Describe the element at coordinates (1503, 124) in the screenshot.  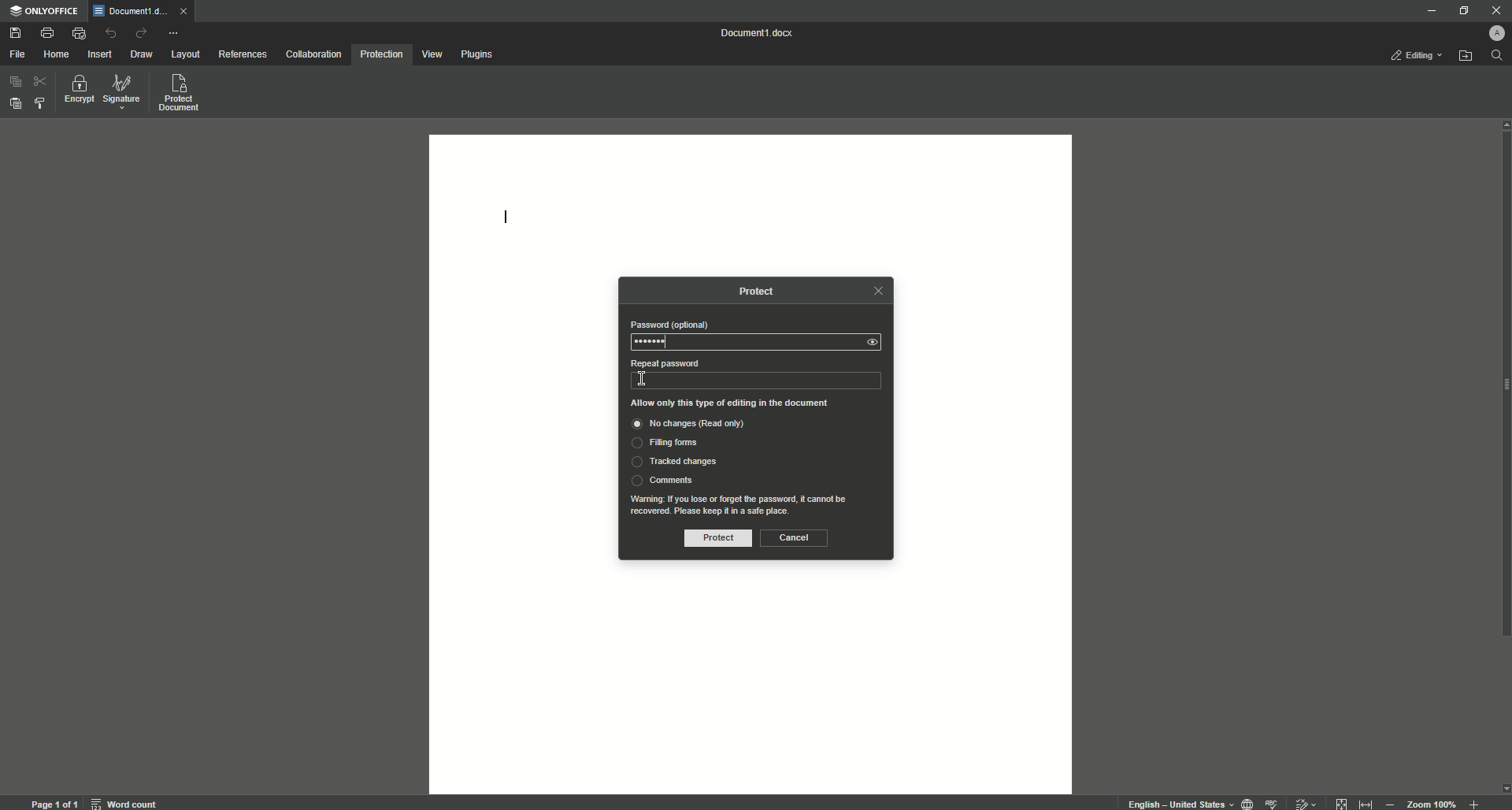
I see `scroll up` at that location.